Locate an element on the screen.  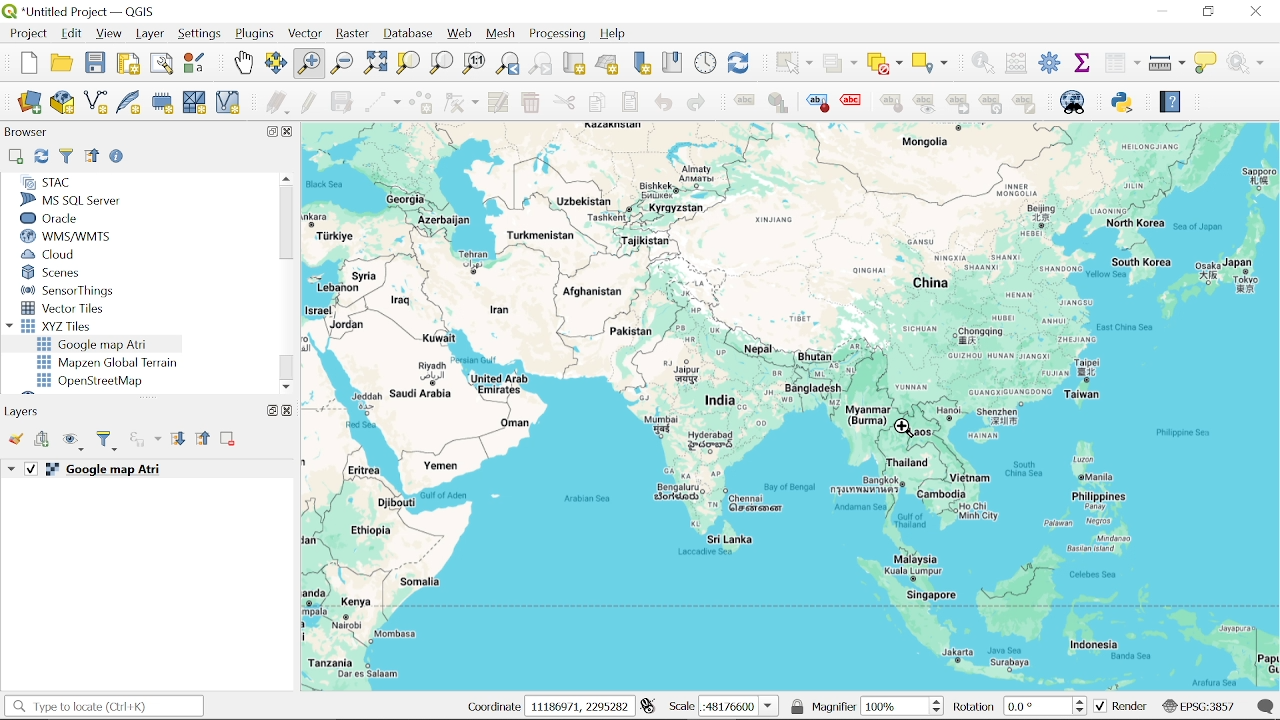
Manage map themes is located at coordinates (74, 444).